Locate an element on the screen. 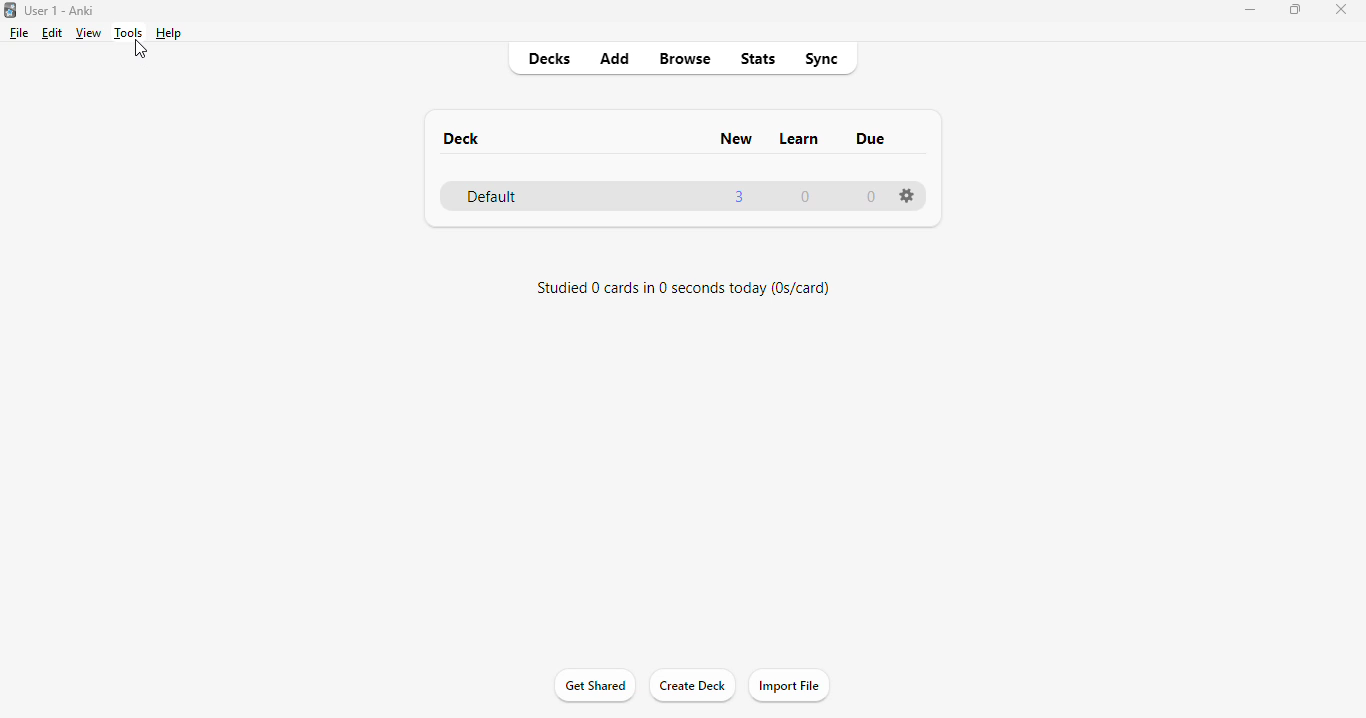  studied 0 cards in 0 seconds today (0s/card) is located at coordinates (683, 288).